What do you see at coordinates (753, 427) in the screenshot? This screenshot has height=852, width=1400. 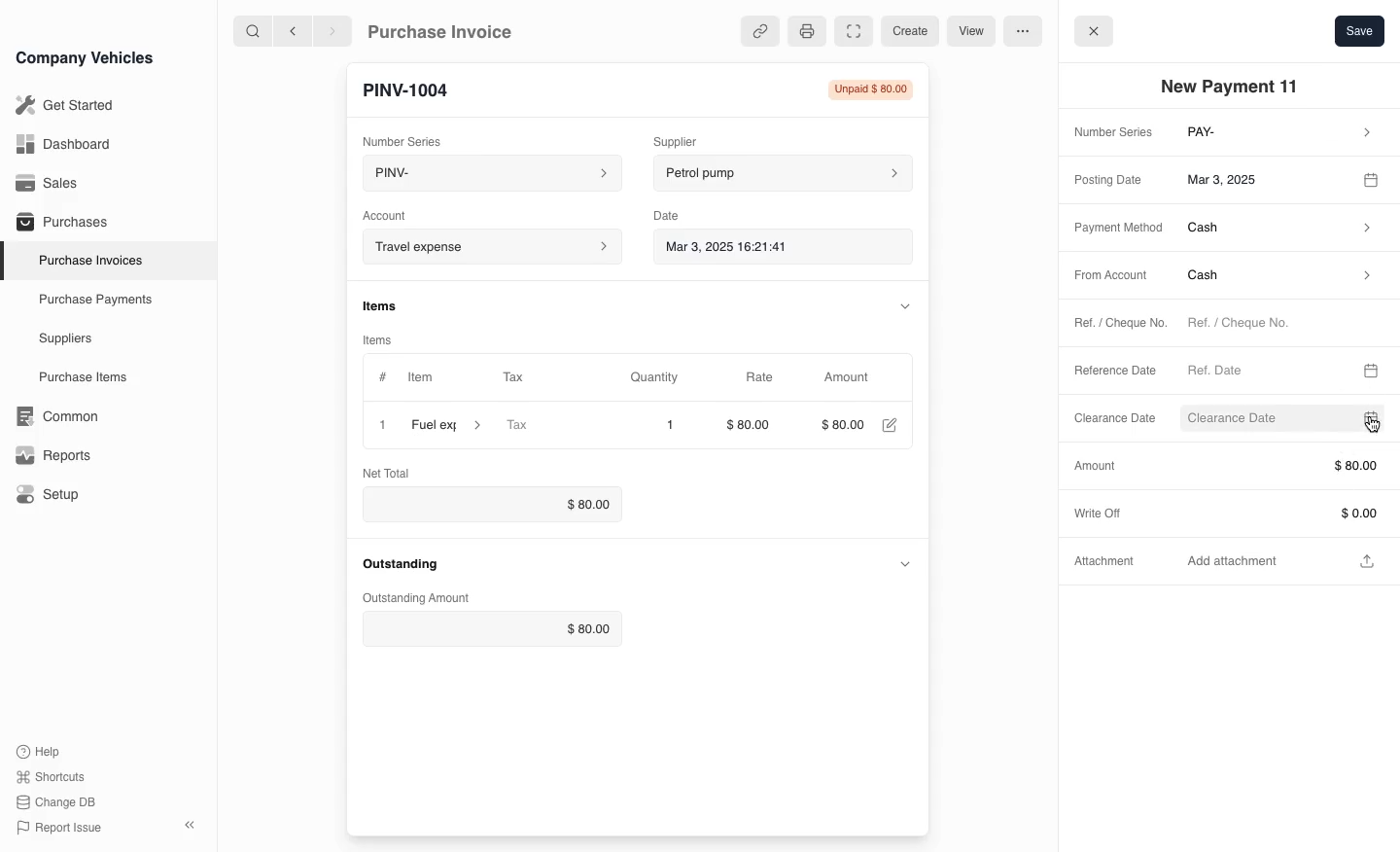 I see `$80.00` at bounding box center [753, 427].